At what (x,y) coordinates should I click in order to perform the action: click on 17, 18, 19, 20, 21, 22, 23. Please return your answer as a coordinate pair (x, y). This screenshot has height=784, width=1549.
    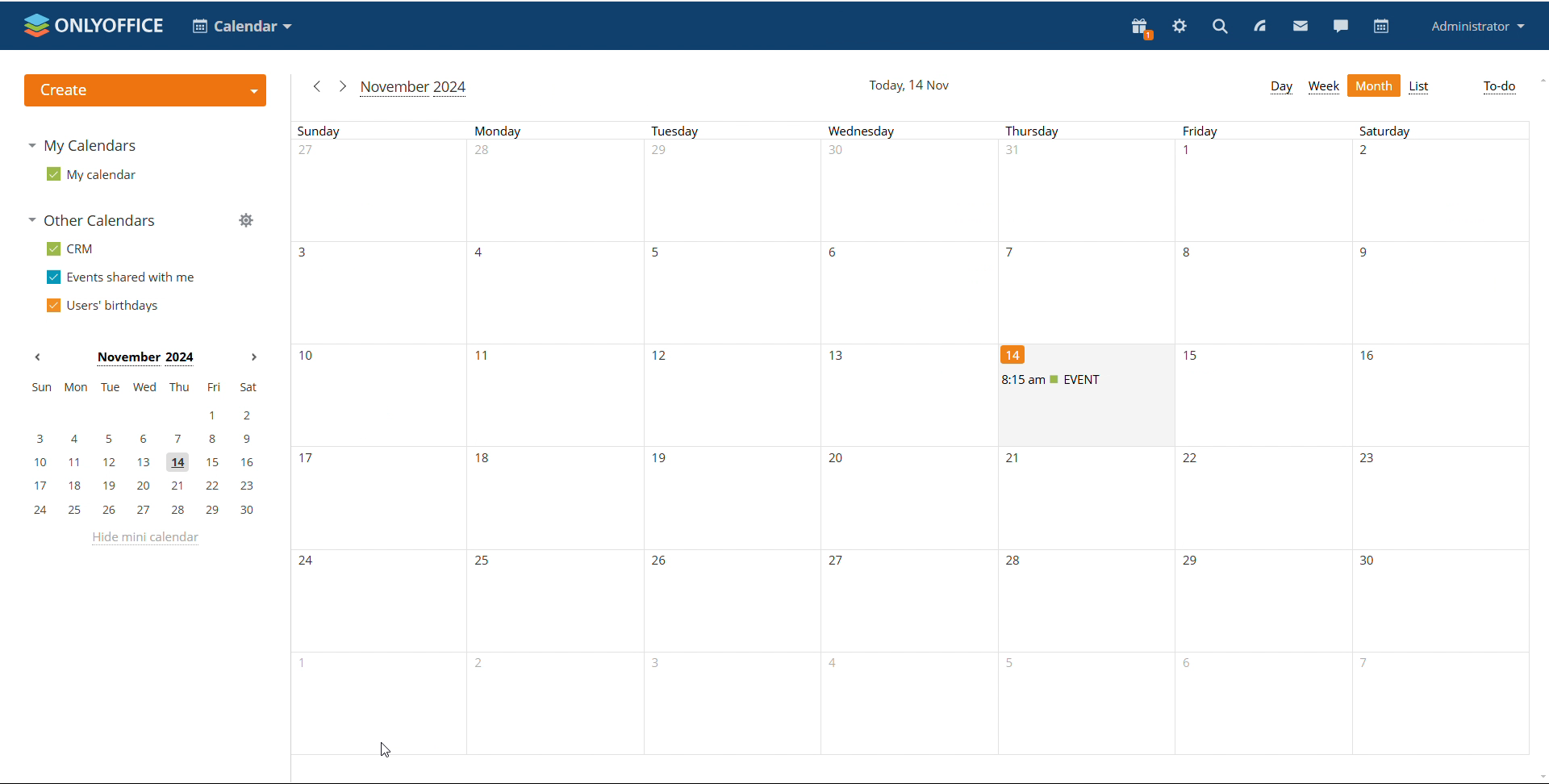
    Looking at the image, I should click on (717, 498).